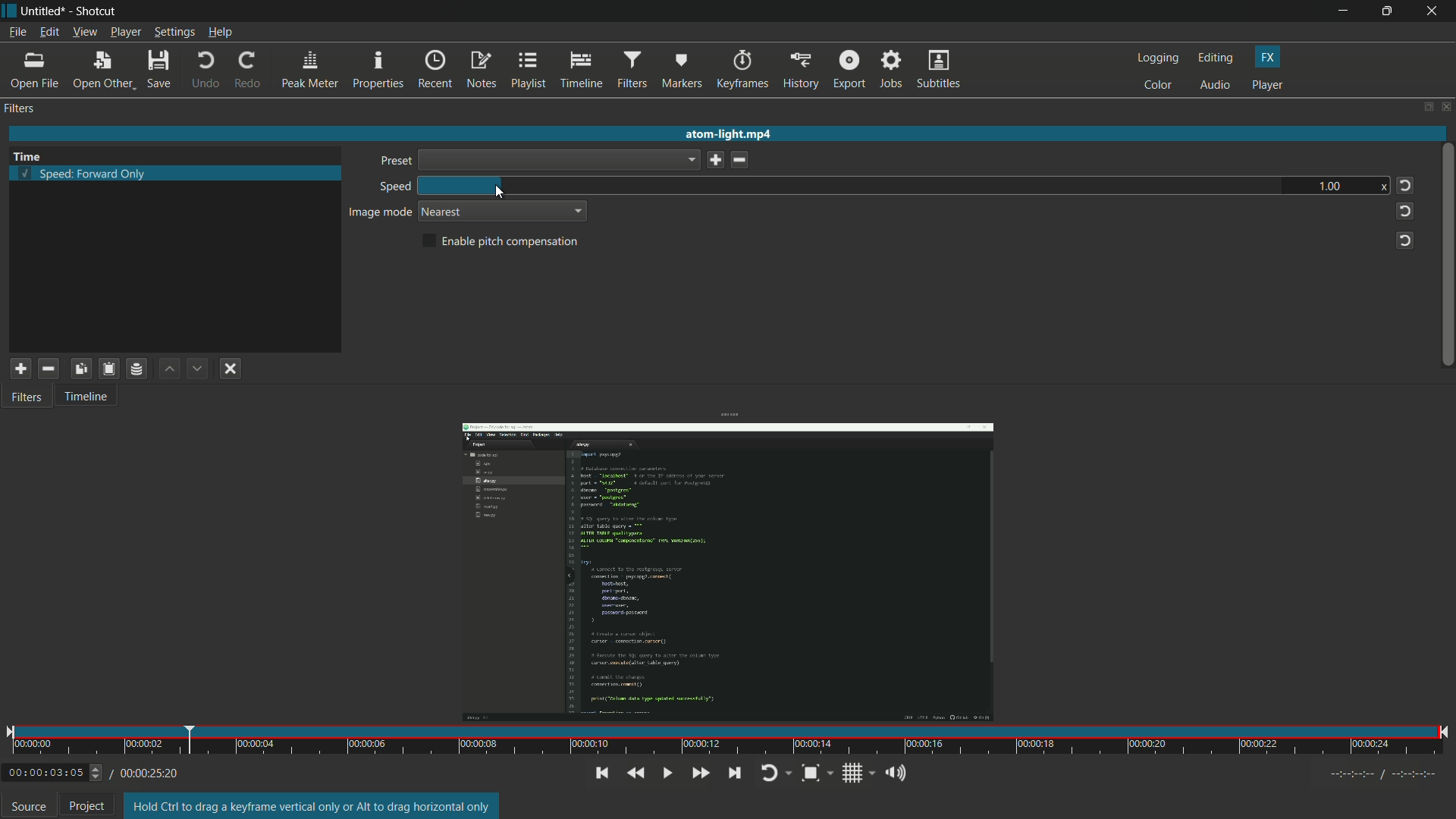  What do you see at coordinates (858, 773) in the screenshot?
I see `show grid` at bounding box center [858, 773].